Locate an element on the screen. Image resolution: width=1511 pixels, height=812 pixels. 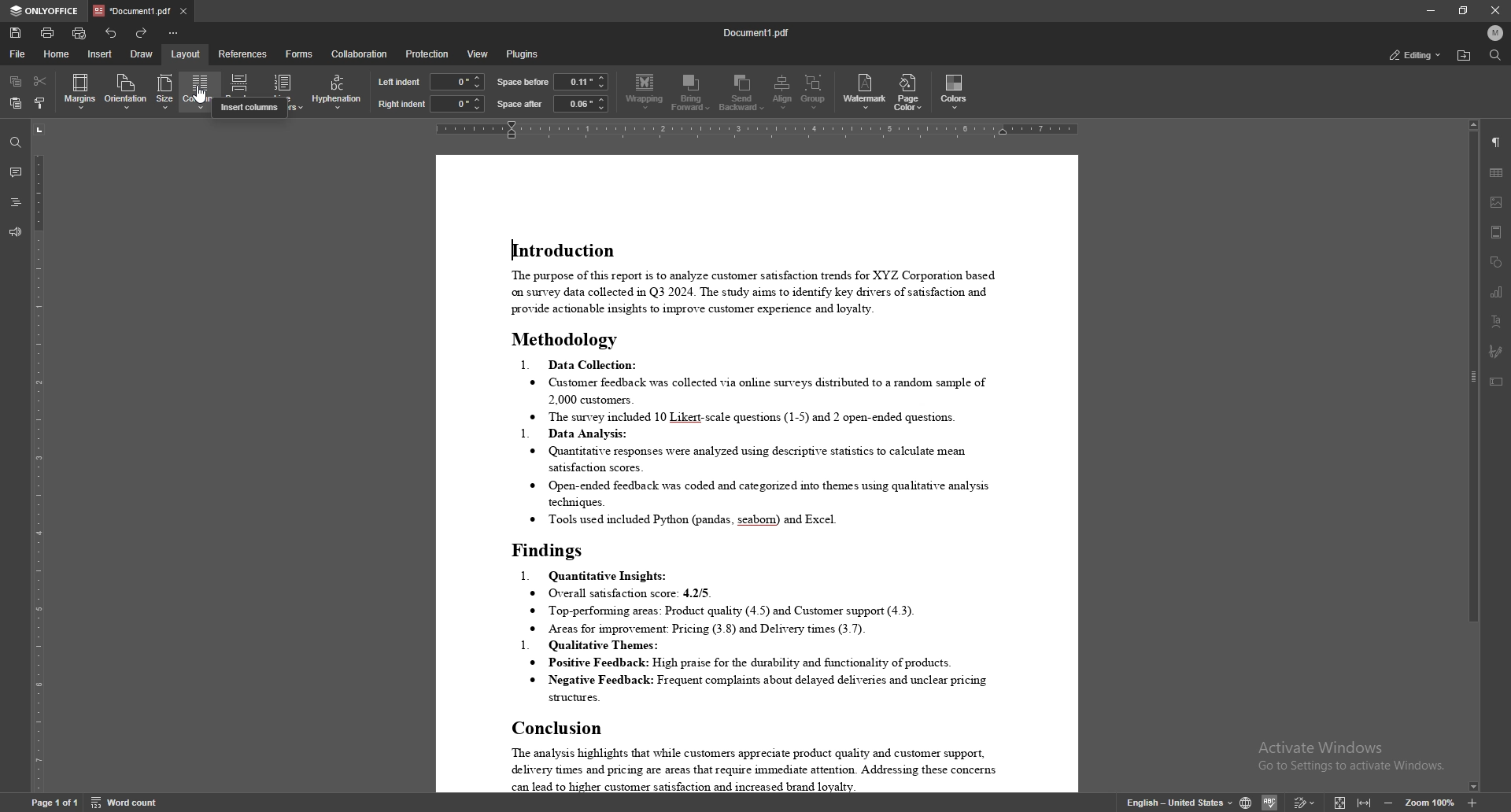
cursor description is located at coordinates (249, 109).